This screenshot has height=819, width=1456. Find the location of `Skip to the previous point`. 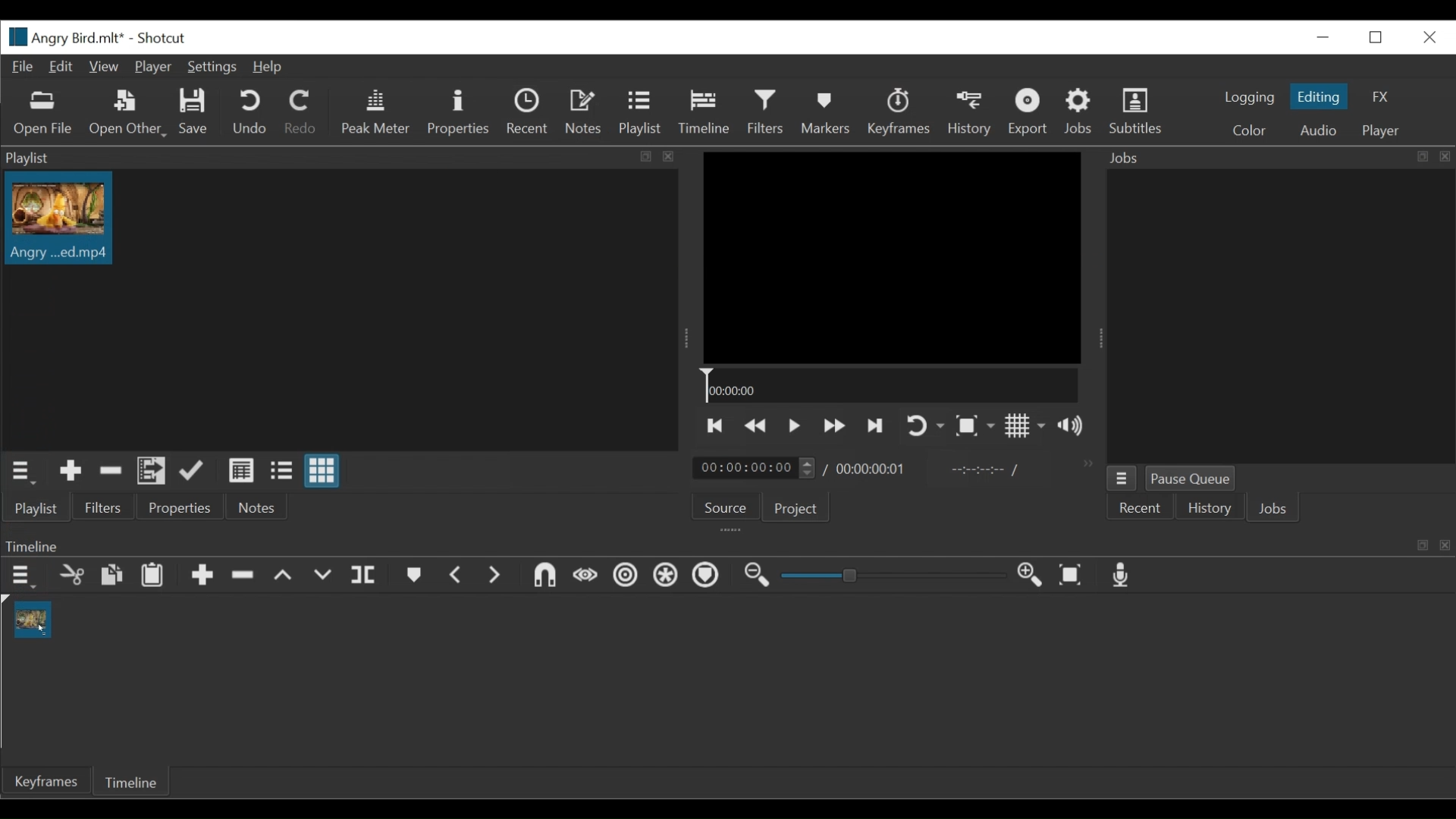

Skip to the previous point is located at coordinates (717, 427).